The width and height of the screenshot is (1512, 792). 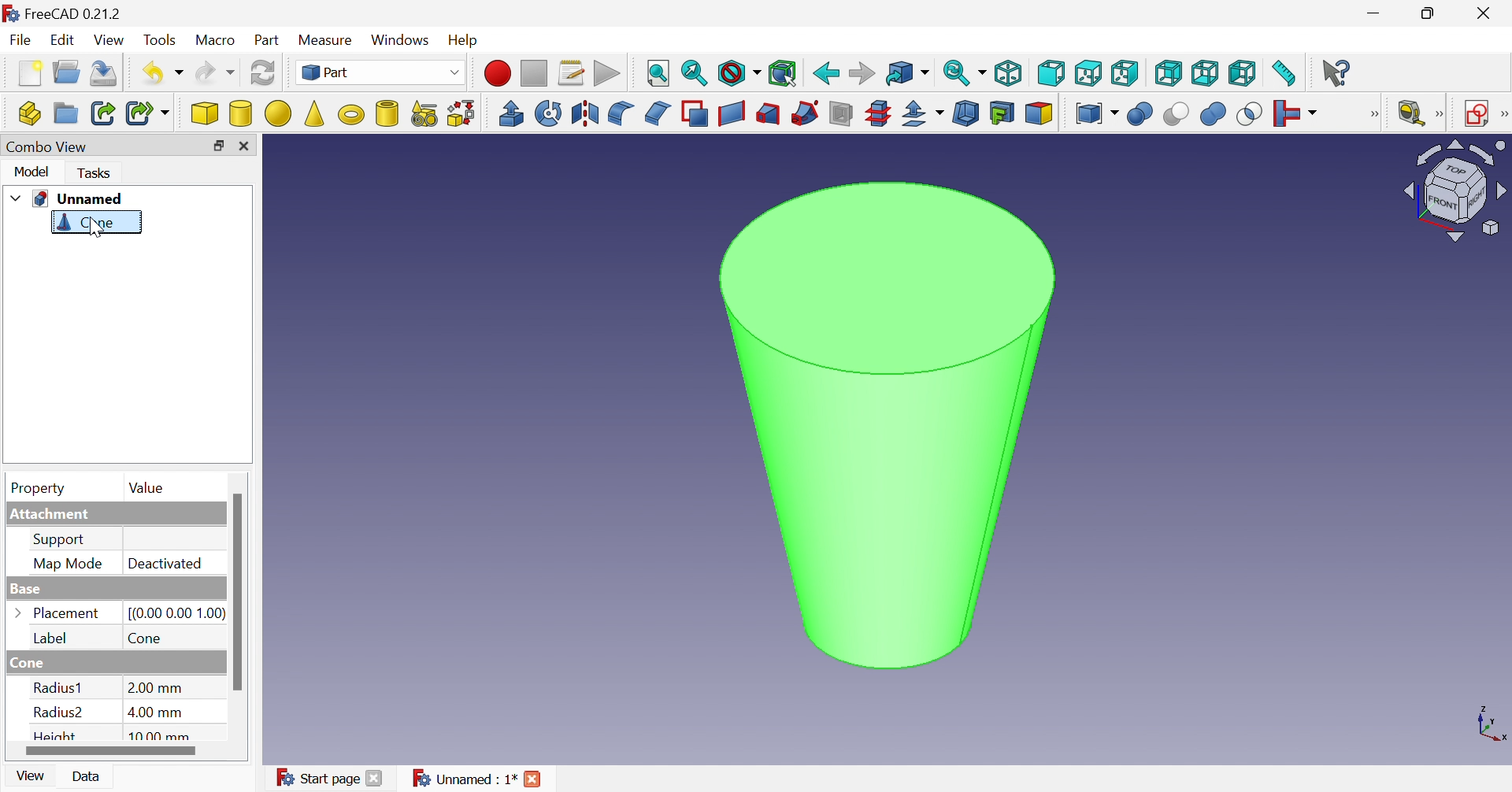 I want to click on Draw style, so click(x=739, y=73).